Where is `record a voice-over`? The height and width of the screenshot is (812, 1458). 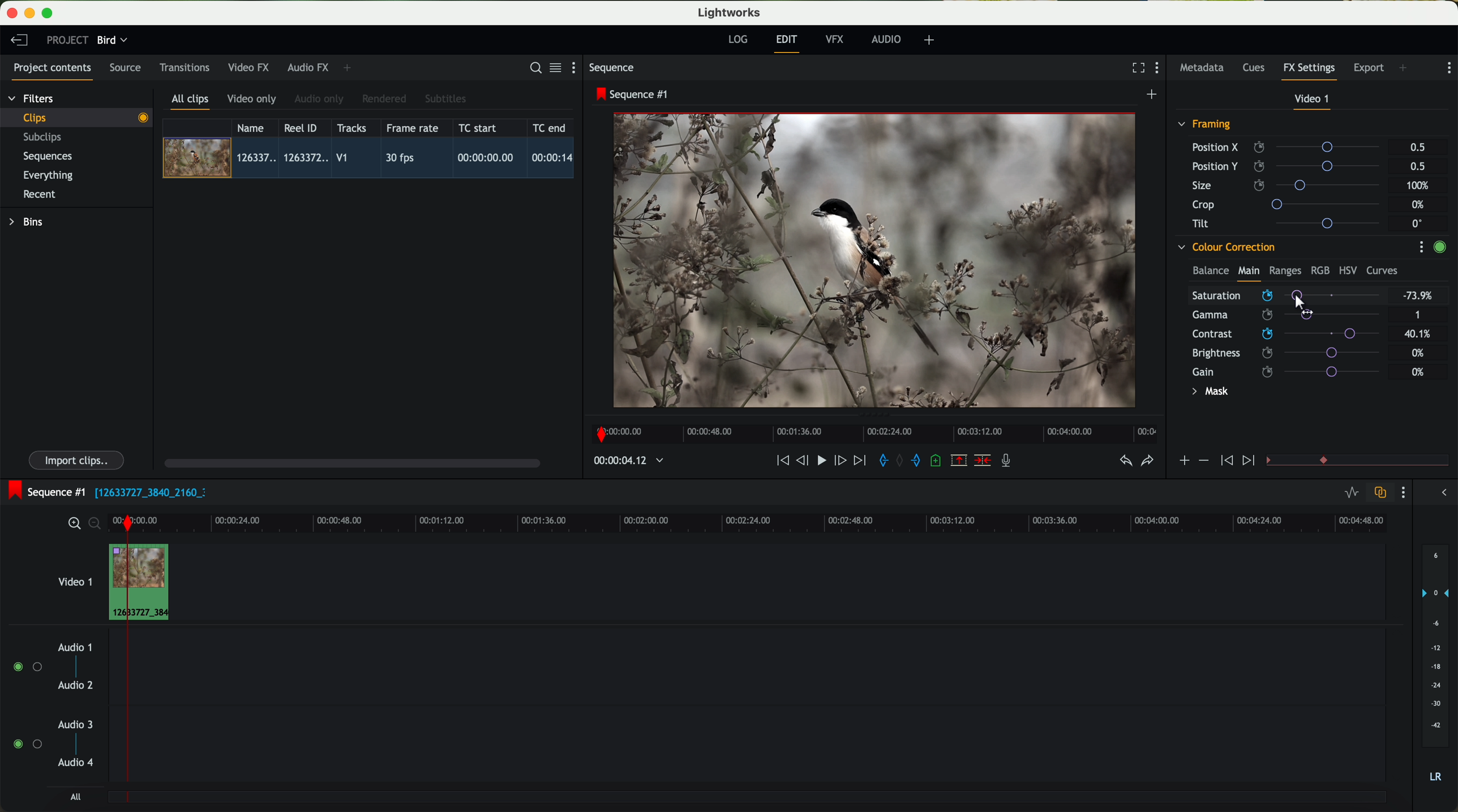
record a voice-over is located at coordinates (1010, 462).